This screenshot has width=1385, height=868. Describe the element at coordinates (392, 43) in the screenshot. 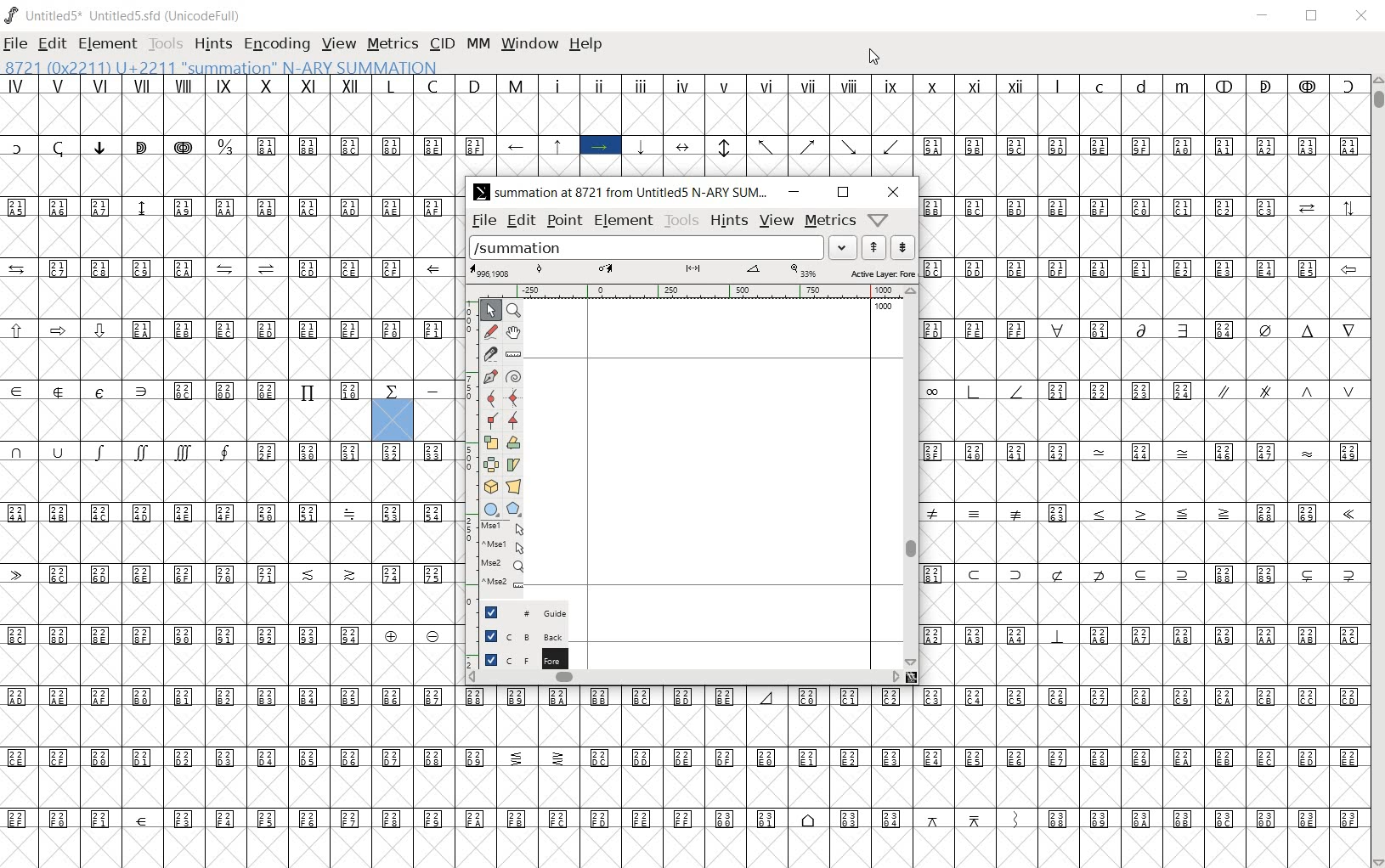

I see `METRICS` at that location.